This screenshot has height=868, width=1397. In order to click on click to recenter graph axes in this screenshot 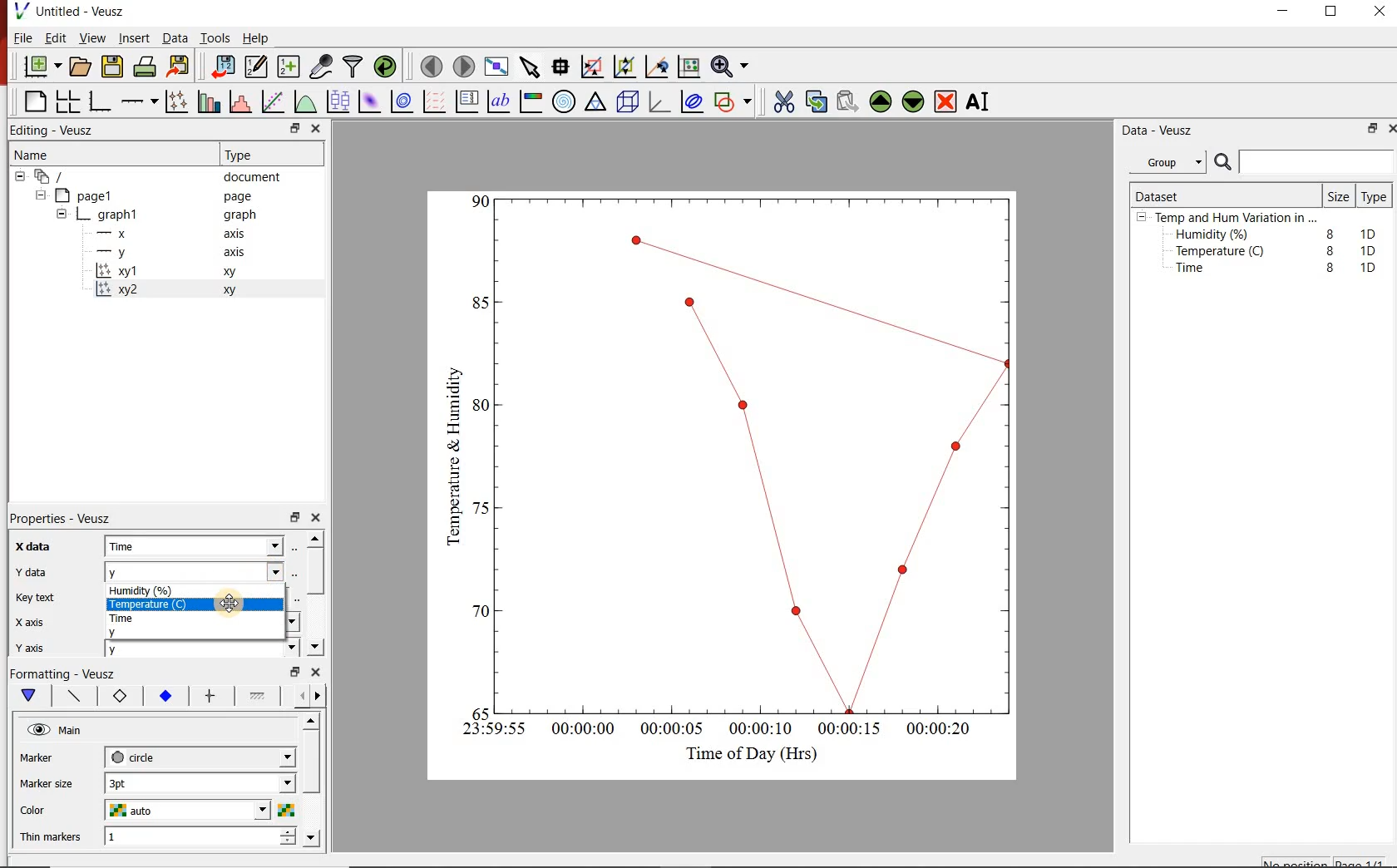, I will do `click(657, 67)`.